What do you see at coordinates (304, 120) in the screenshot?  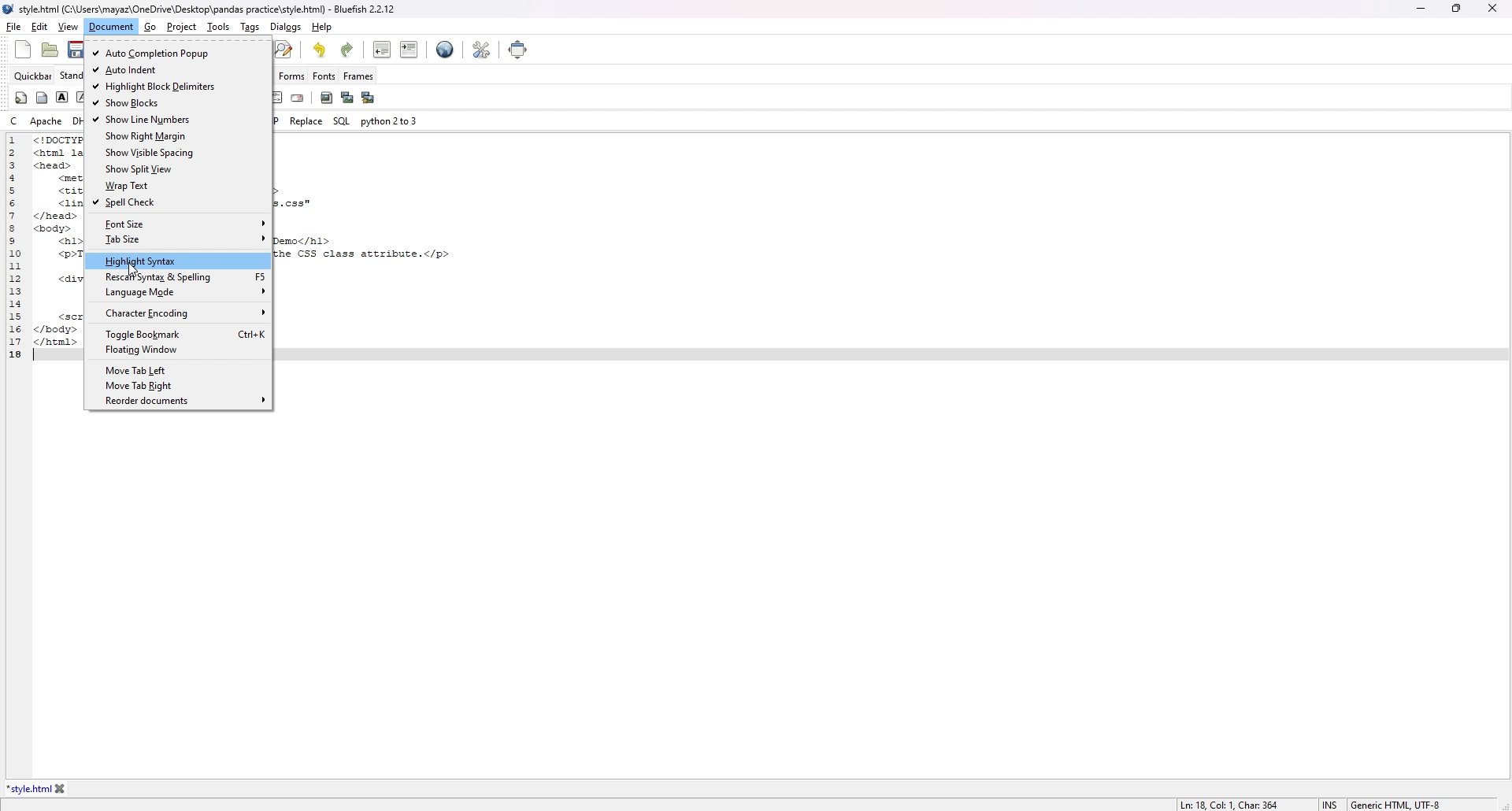 I see `Replace` at bounding box center [304, 120].